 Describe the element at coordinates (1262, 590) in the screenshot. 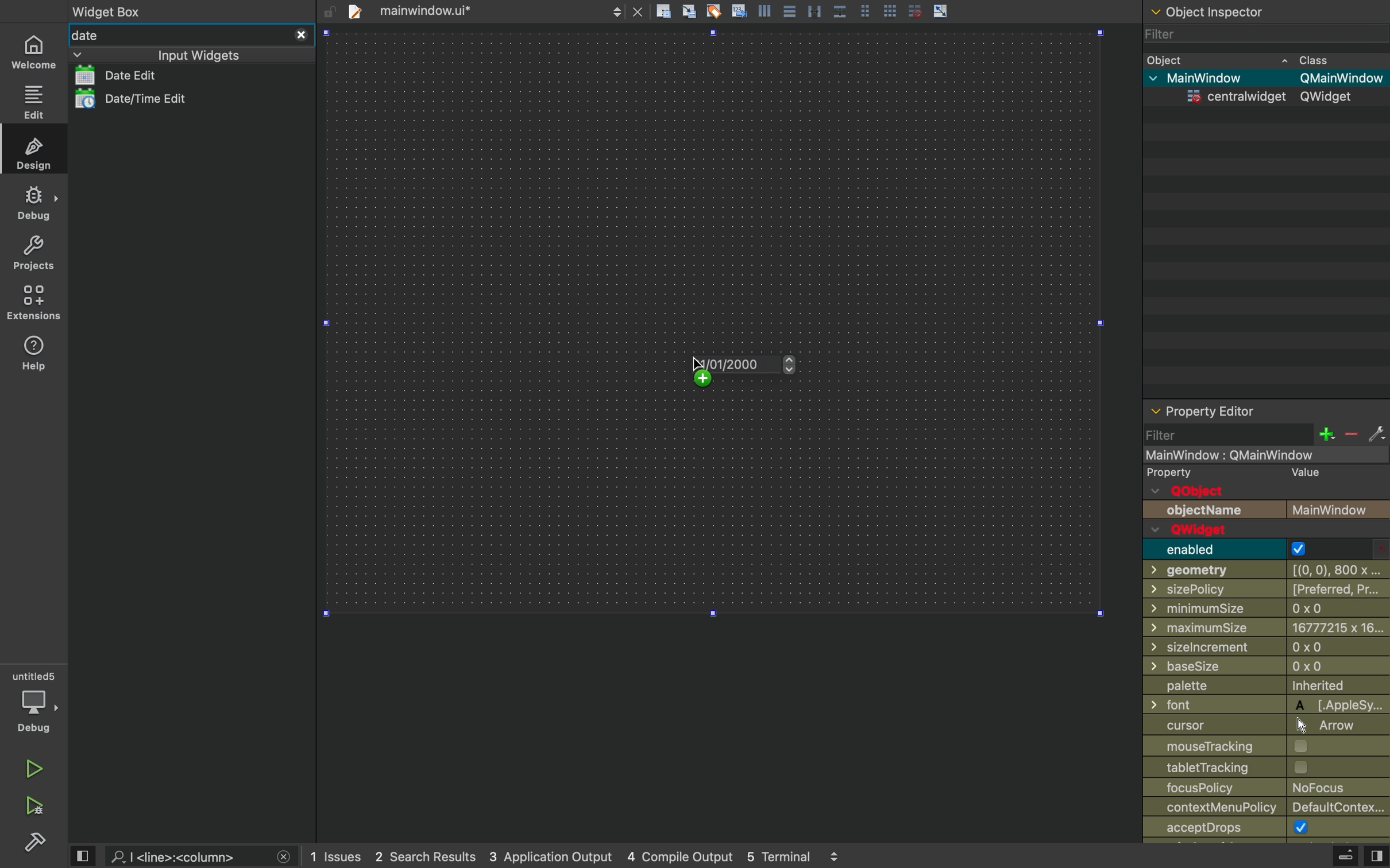

I see `sizepolicy` at that location.